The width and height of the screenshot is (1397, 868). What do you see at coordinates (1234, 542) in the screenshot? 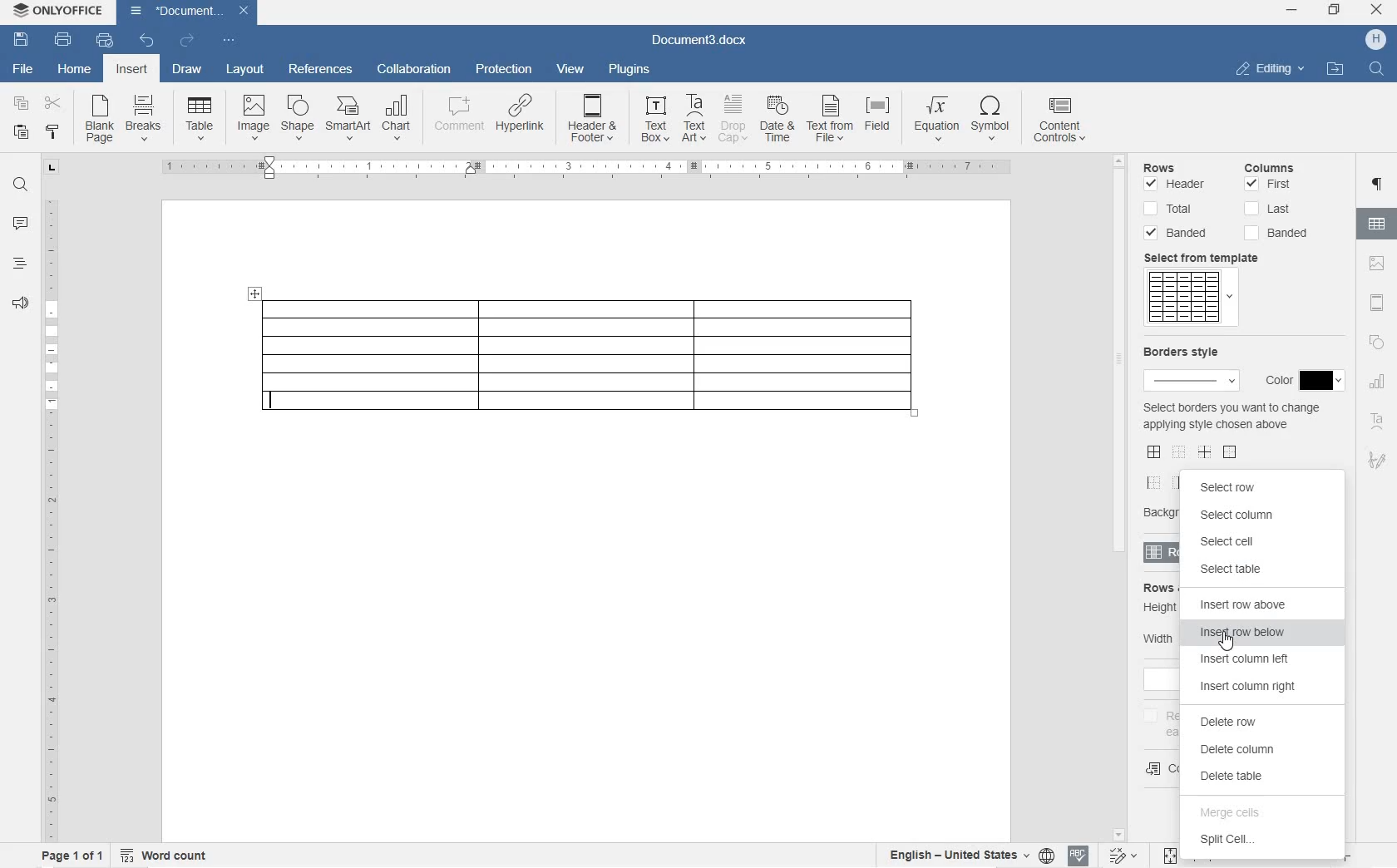
I see `select cell` at bounding box center [1234, 542].